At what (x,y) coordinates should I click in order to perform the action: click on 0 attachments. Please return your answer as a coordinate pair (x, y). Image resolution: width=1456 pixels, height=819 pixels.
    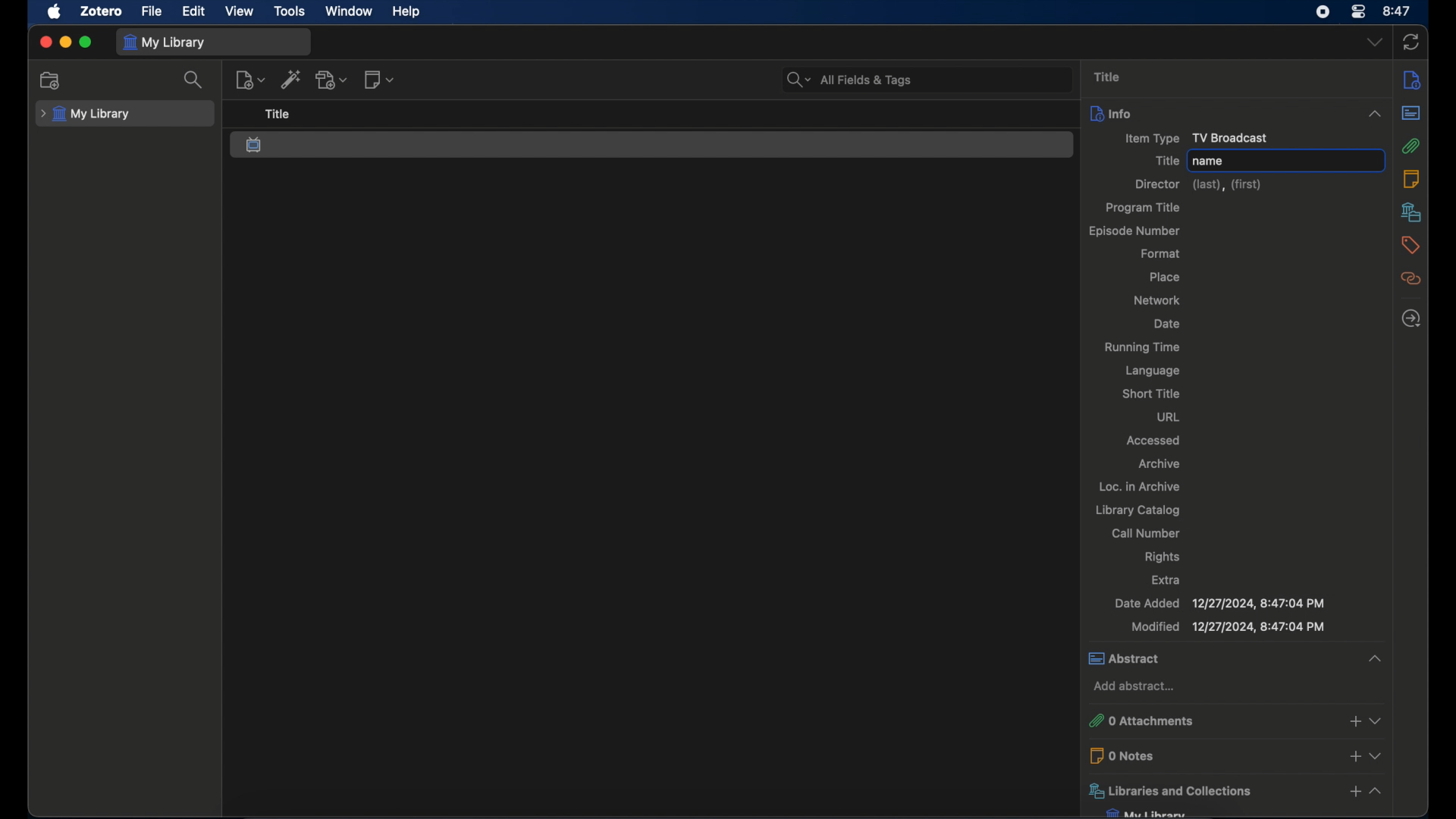
    Looking at the image, I should click on (1210, 722).